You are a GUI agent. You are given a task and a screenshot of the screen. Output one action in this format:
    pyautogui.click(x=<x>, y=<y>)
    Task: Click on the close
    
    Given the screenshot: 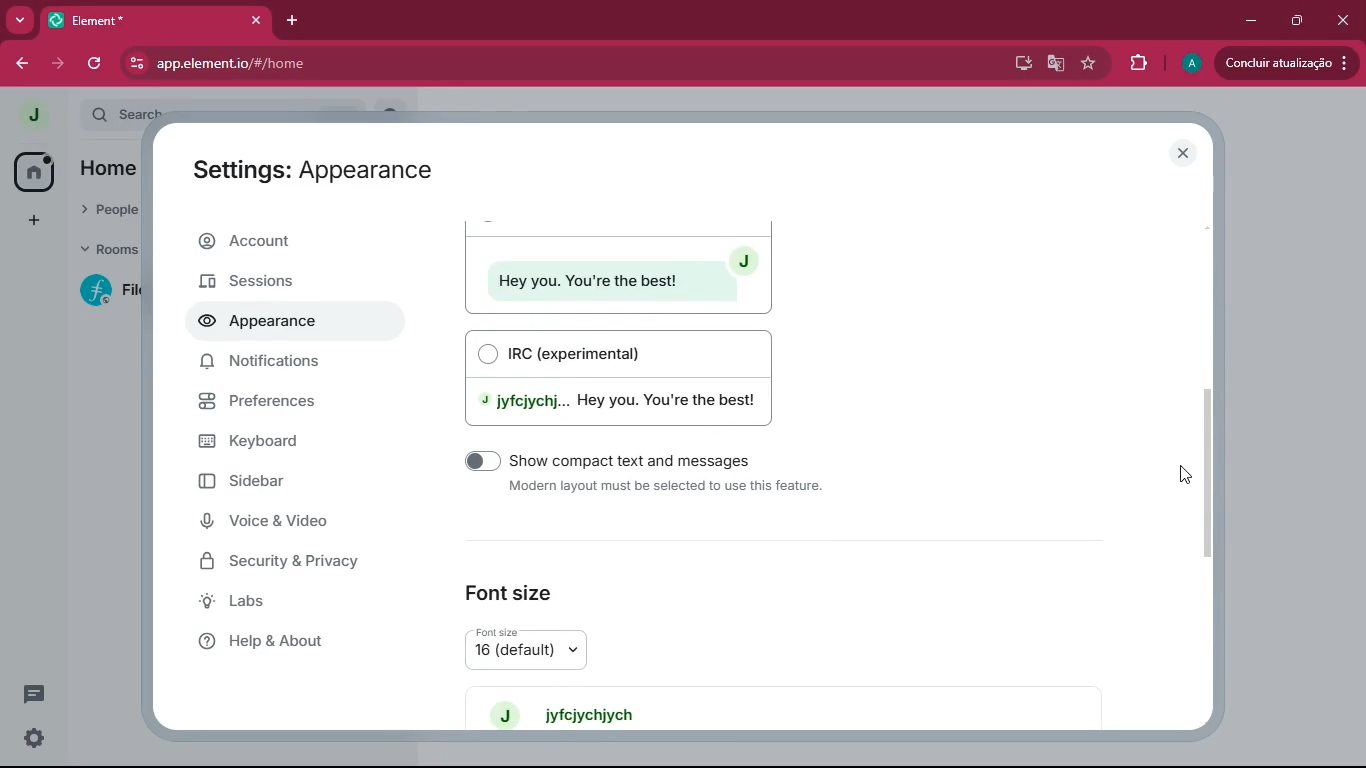 What is the action you would take?
    pyautogui.click(x=1188, y=154)
    